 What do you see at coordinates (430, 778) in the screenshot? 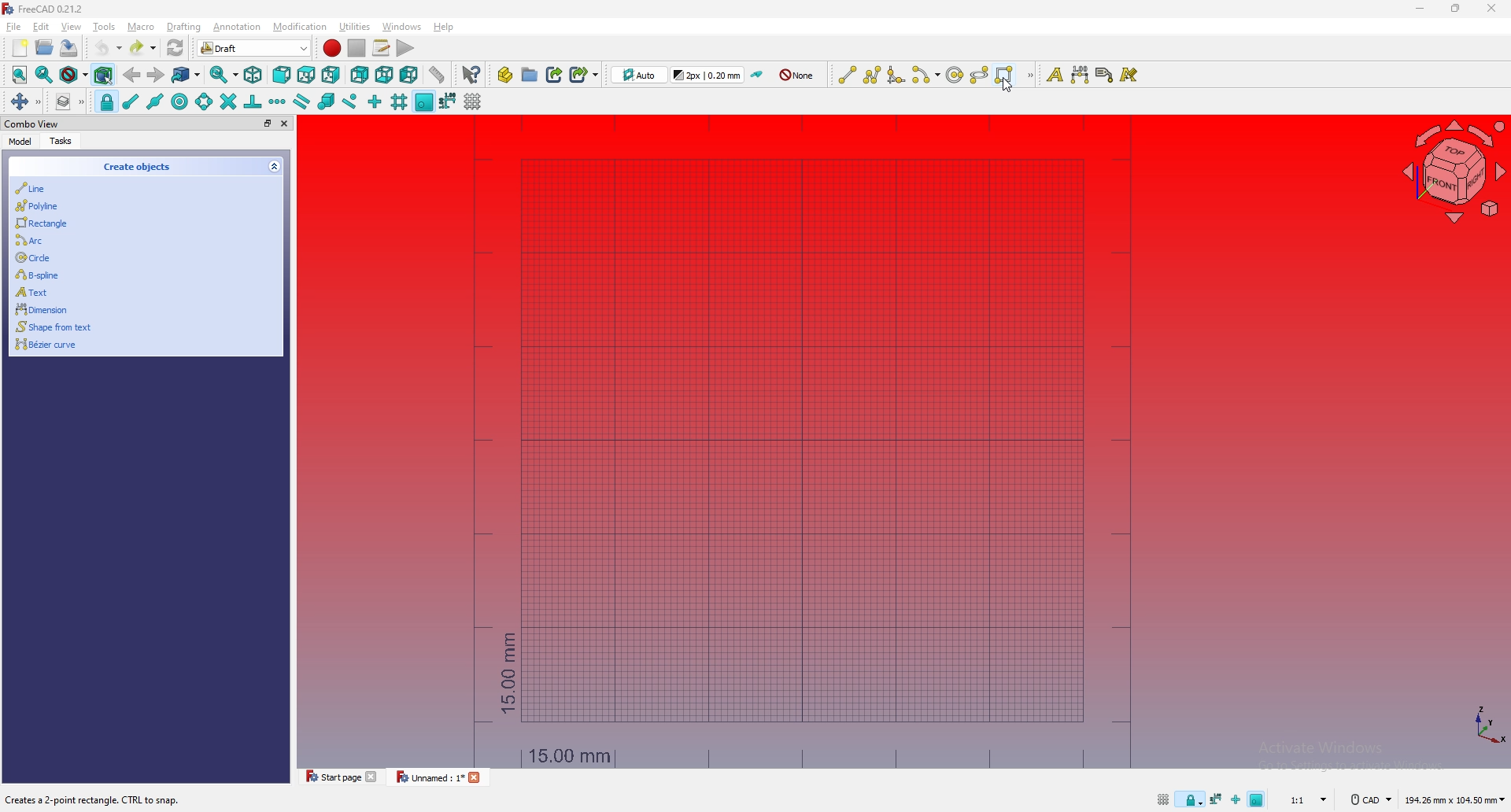
I see `unnamed : 1*` at bounding box center [430, 778].